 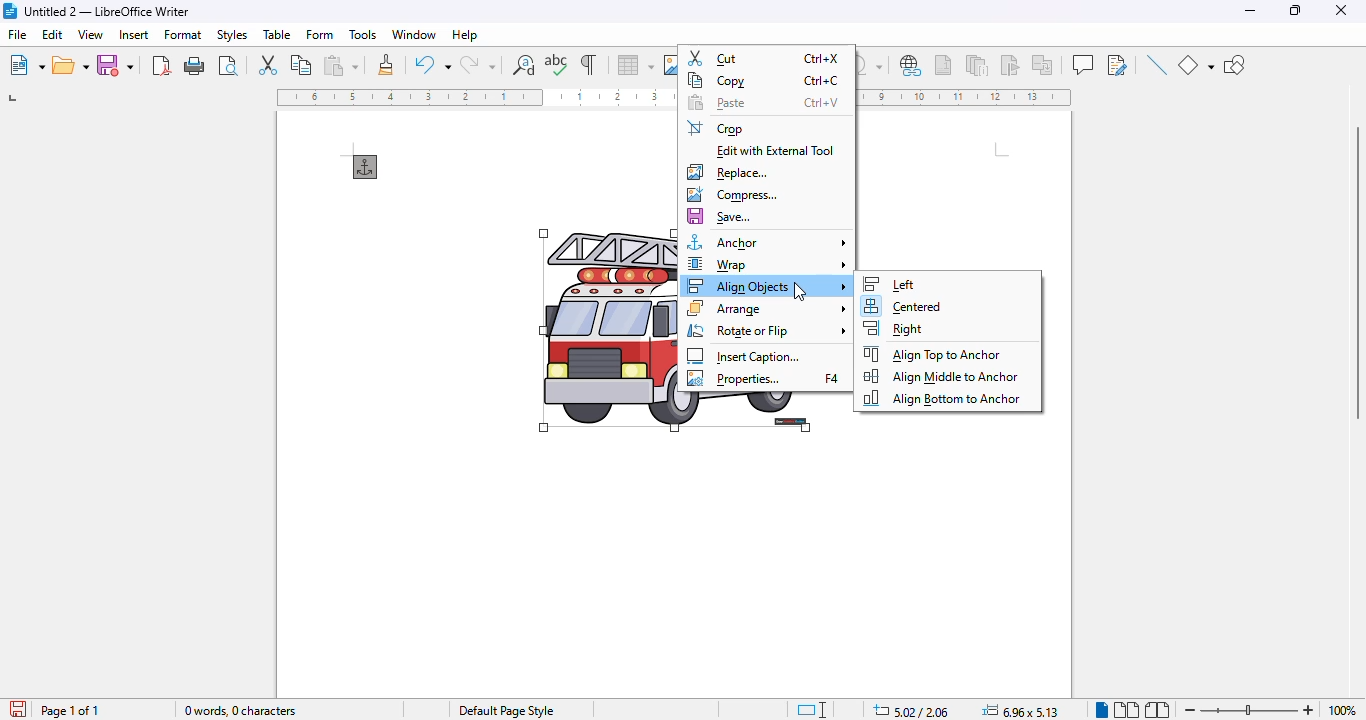 I want to click on insert caption, so click(x=744, y=356).